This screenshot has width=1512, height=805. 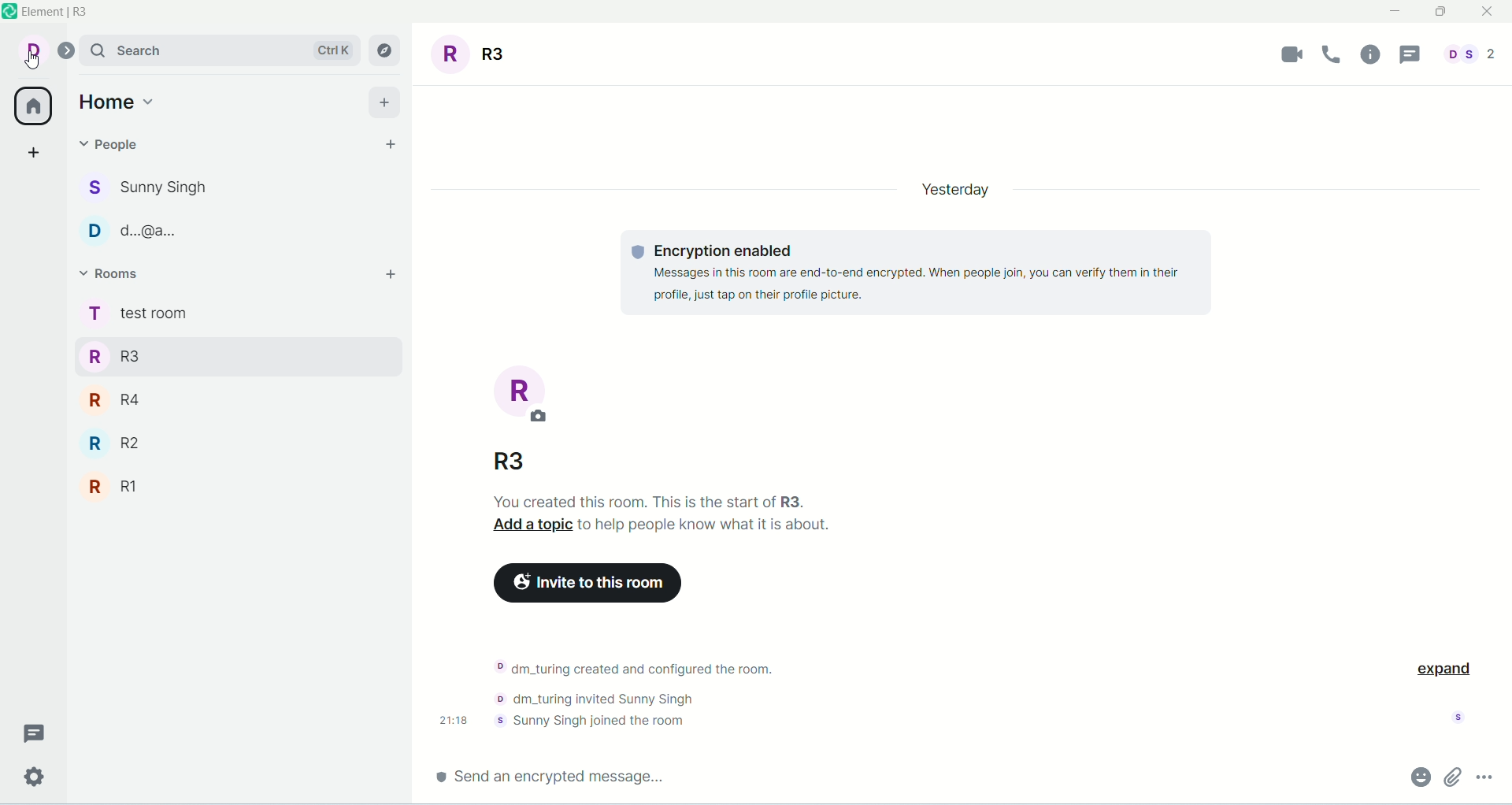 What do you see at coordinates (205, 398) in the screenshot?
I see `R4` at bounding box center [205, 398].